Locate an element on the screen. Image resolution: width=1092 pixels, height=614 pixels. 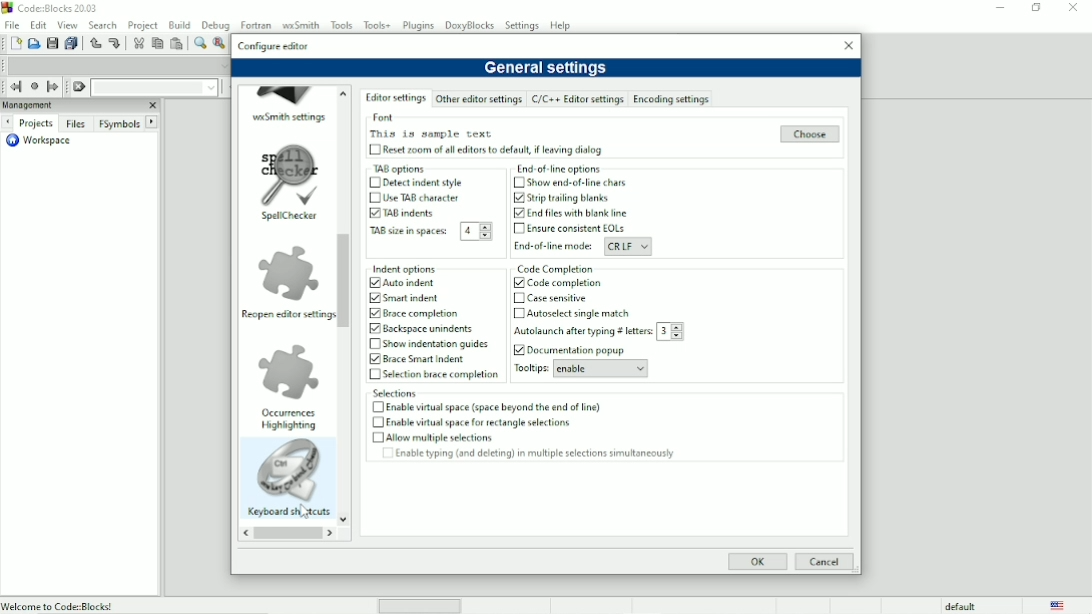
Drop down is located at coordinates (677, 331).